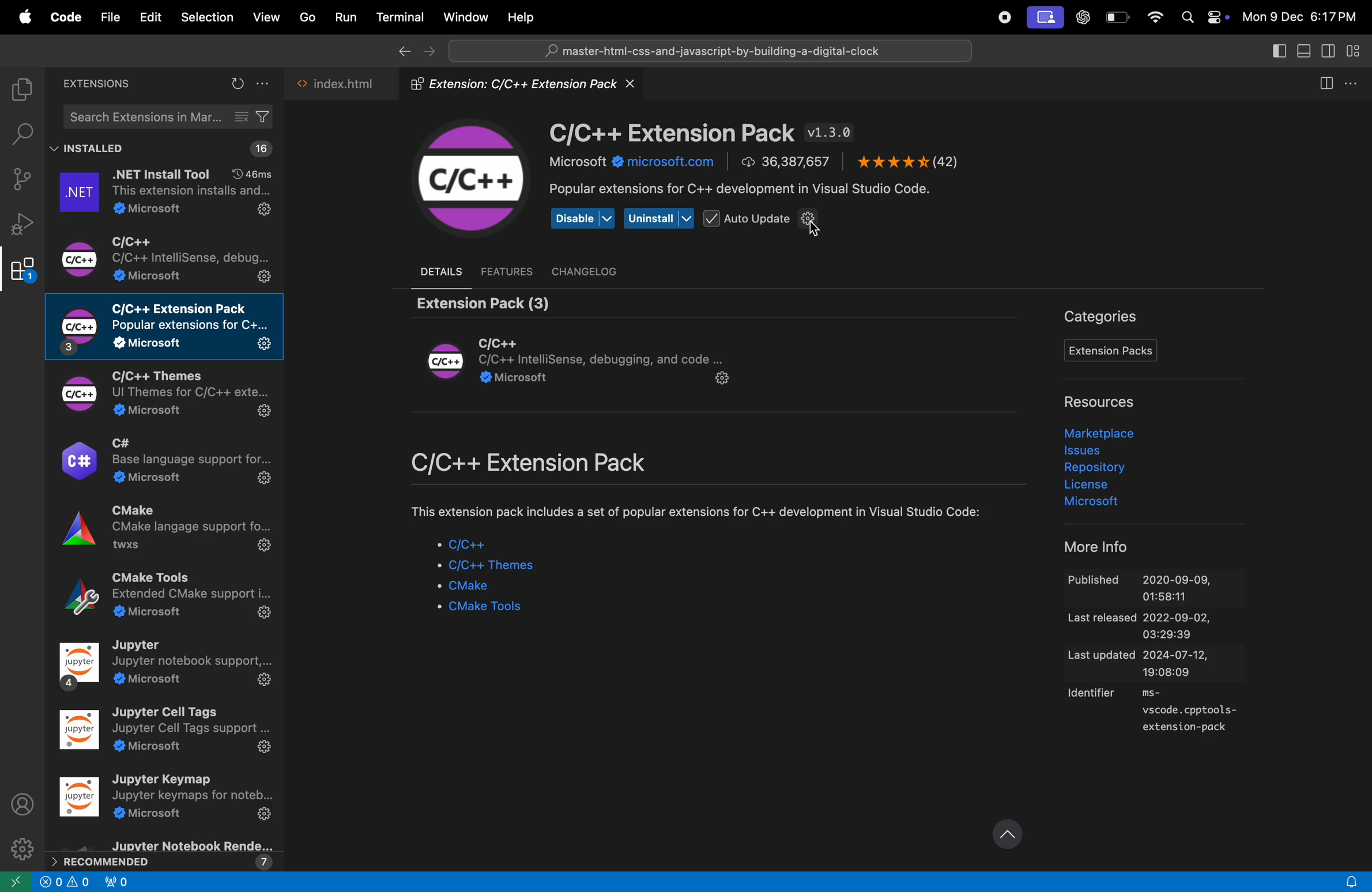 This screenshot has width=1372, height=892. Describe the element at coordinates (108, 14) in the screenshot. I see `file` at that location.